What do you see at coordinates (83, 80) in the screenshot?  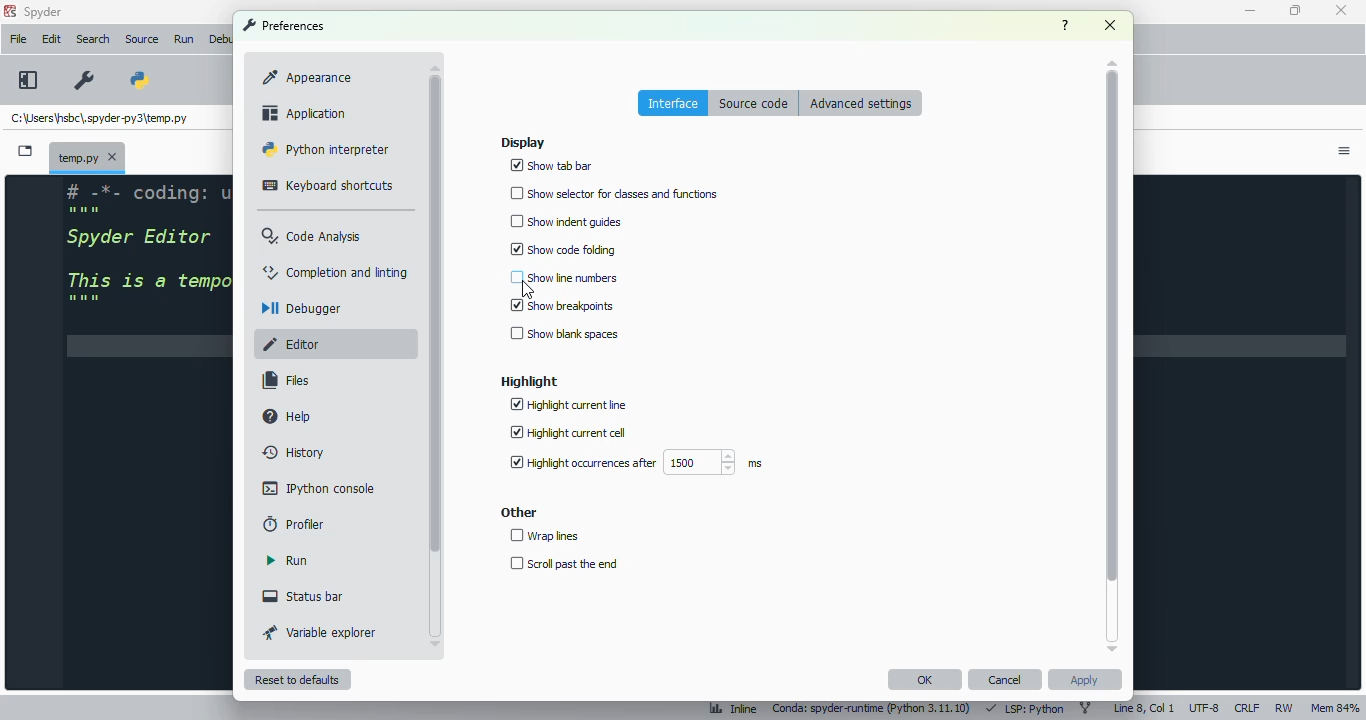 I see `preferences` at bounding box center [83, 80].